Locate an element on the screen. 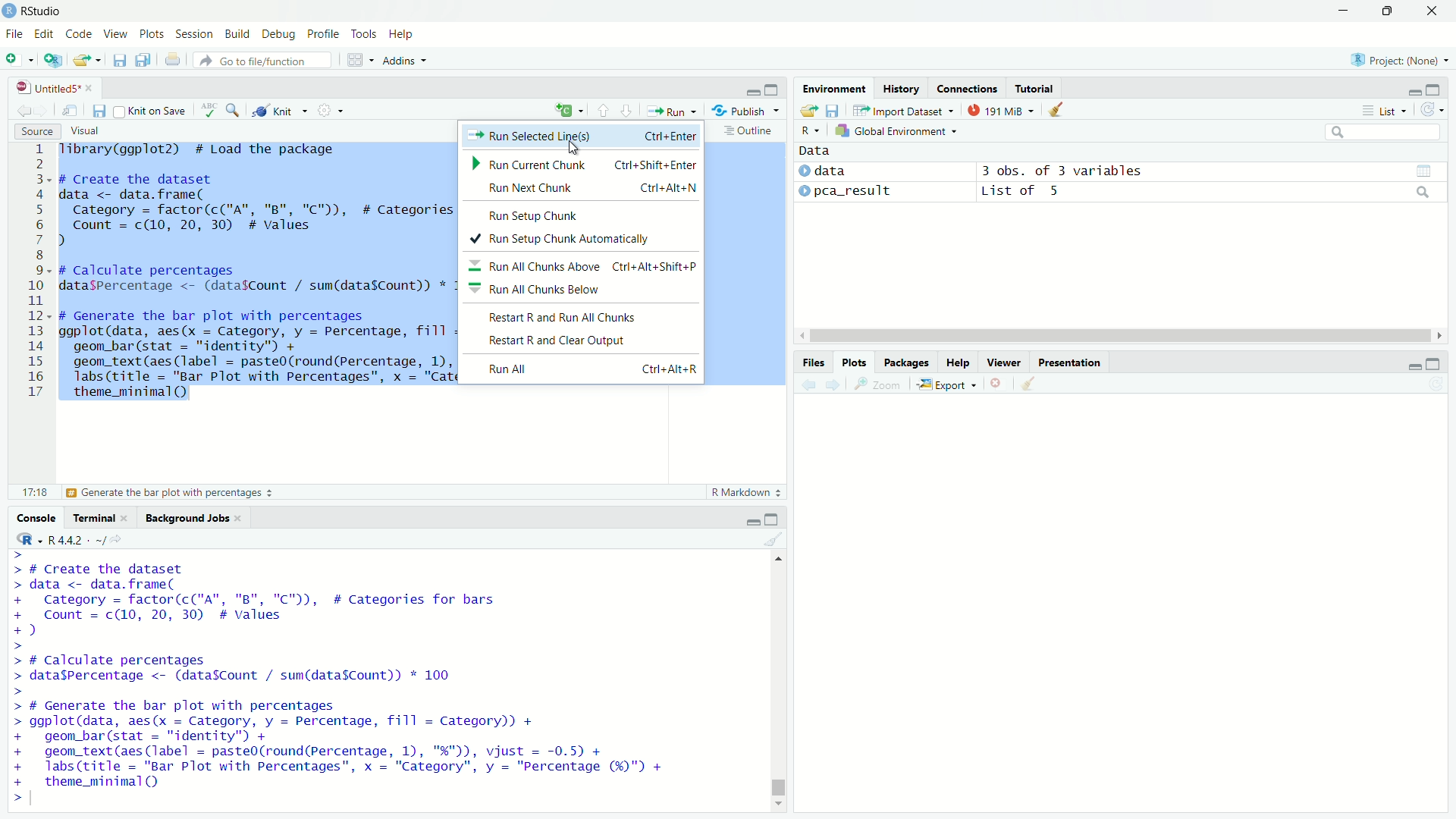 This screenshot has width=1456, height=819. save current document is located at coordinates (100, 111).